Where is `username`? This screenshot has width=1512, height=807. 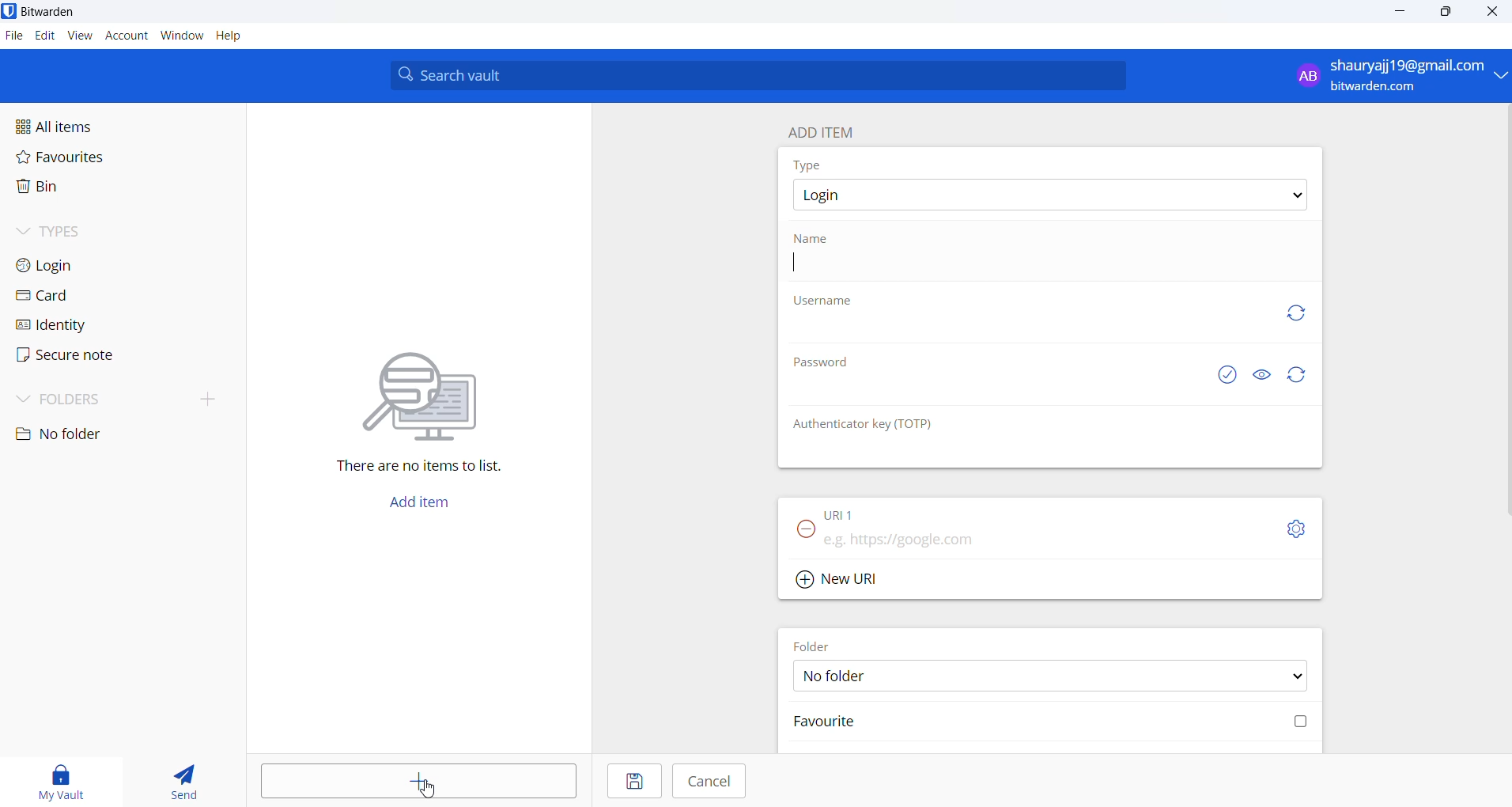
username is located at coordinates (824, 301).